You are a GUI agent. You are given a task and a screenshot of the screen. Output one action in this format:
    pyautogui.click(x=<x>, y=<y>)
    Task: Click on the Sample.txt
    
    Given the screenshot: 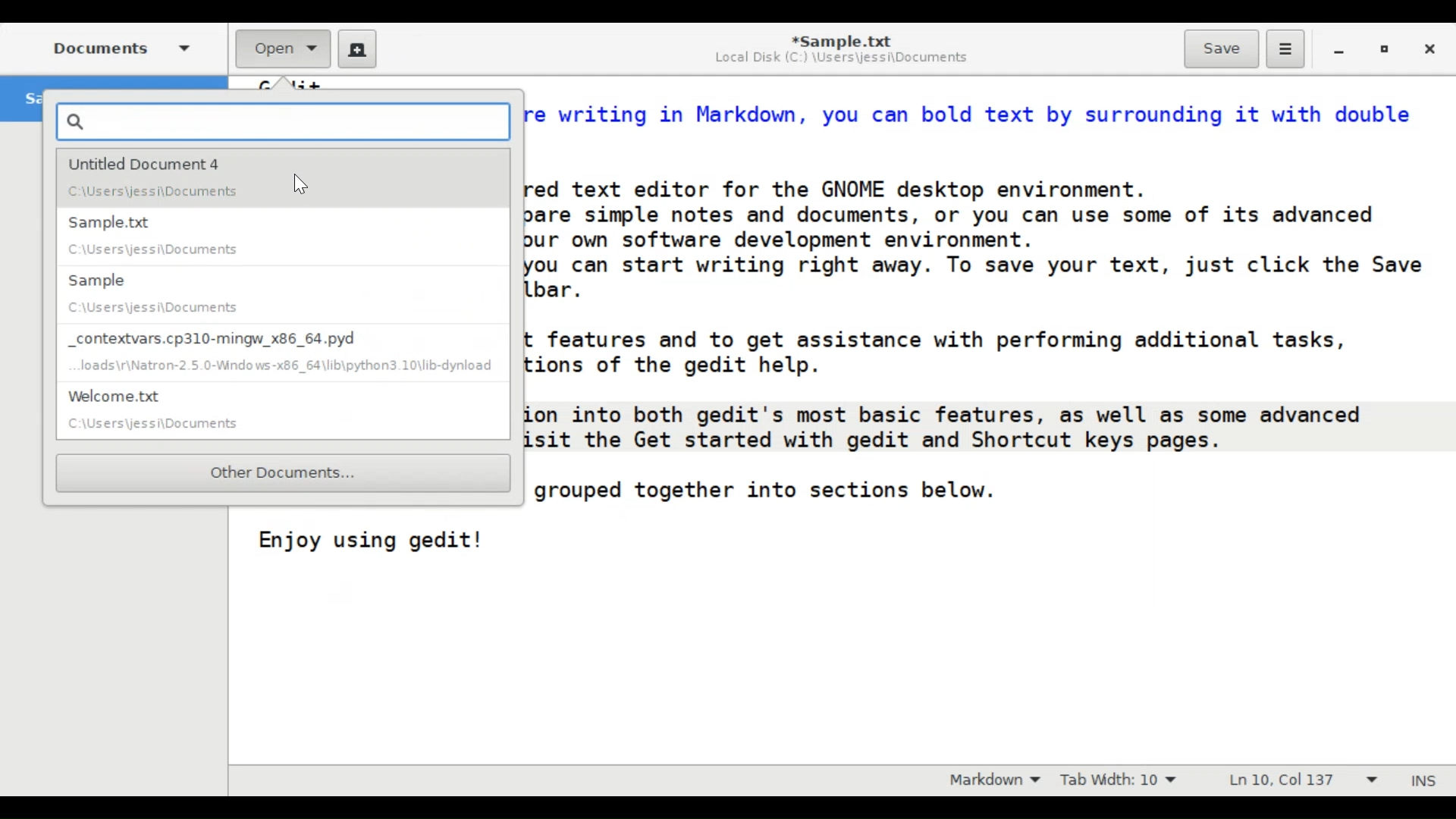 What is the action you would take?
    pyautogui.click(x=285, y=234)
    